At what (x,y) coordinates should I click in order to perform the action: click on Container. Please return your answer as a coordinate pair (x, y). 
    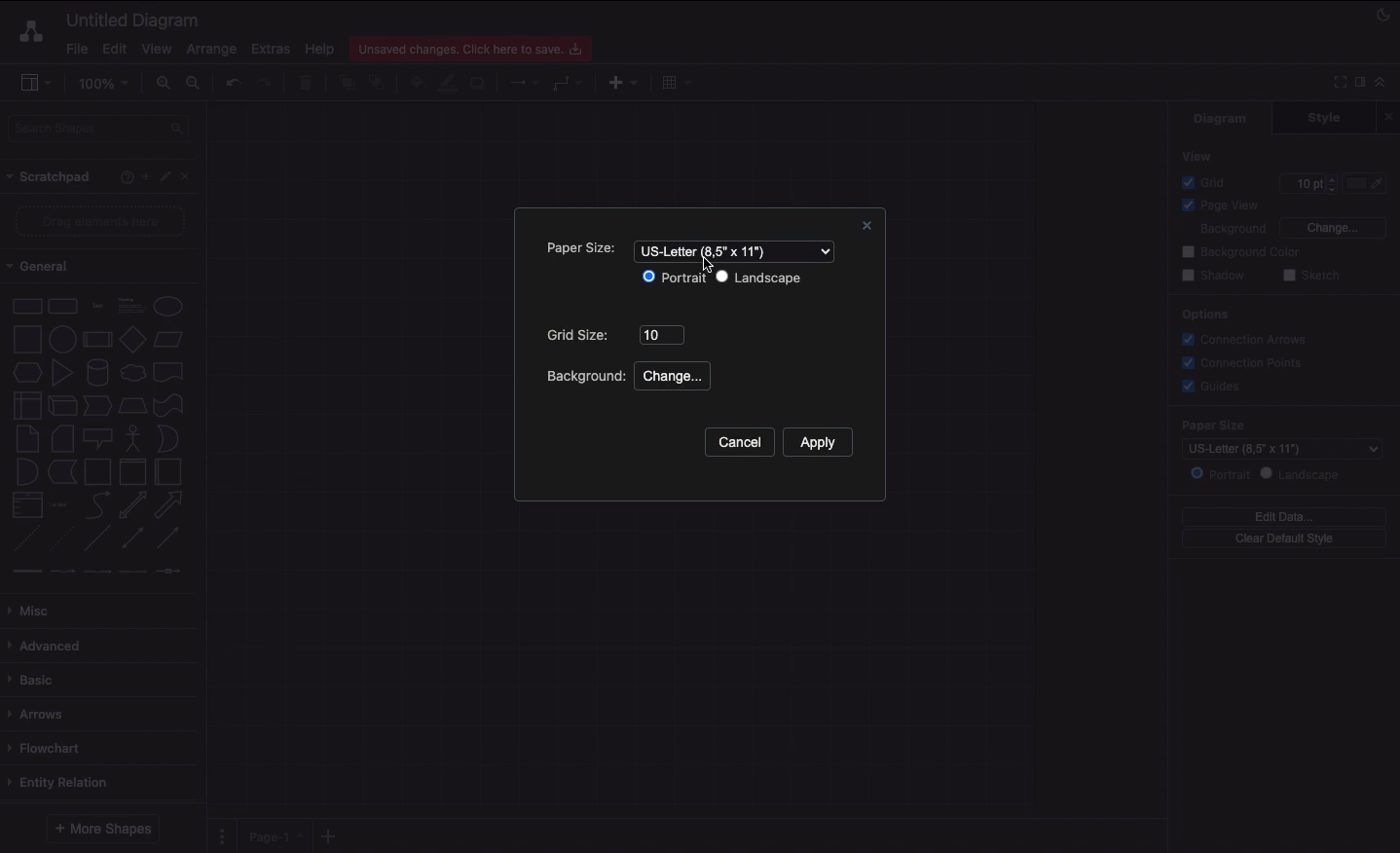
    Looking at the image, I should click on (97, 471).